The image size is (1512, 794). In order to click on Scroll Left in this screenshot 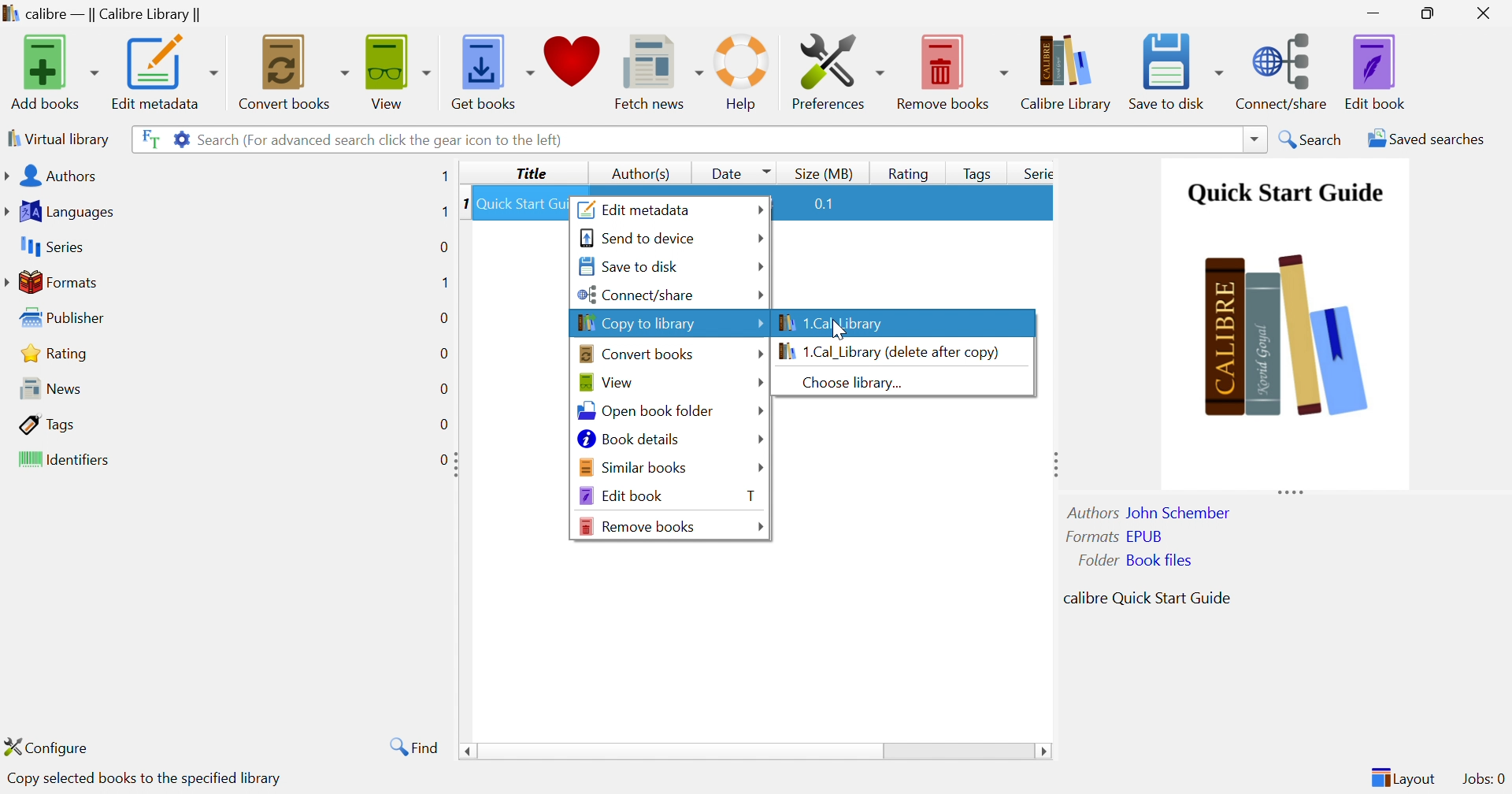, I will do `click(465, 752)`.